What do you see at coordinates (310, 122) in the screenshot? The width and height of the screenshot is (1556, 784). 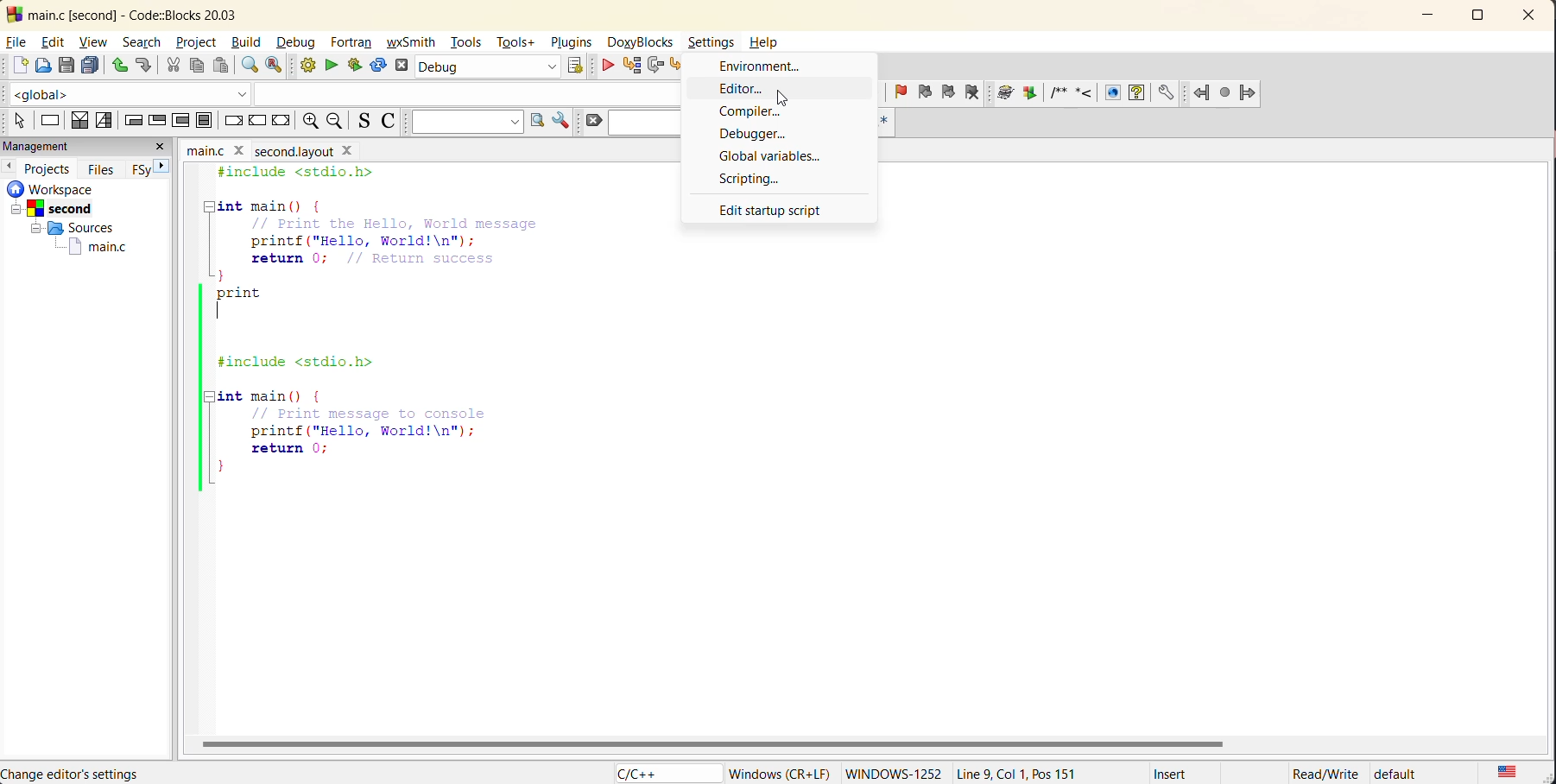 I see `zoom out` at bounding box center [310, 122].